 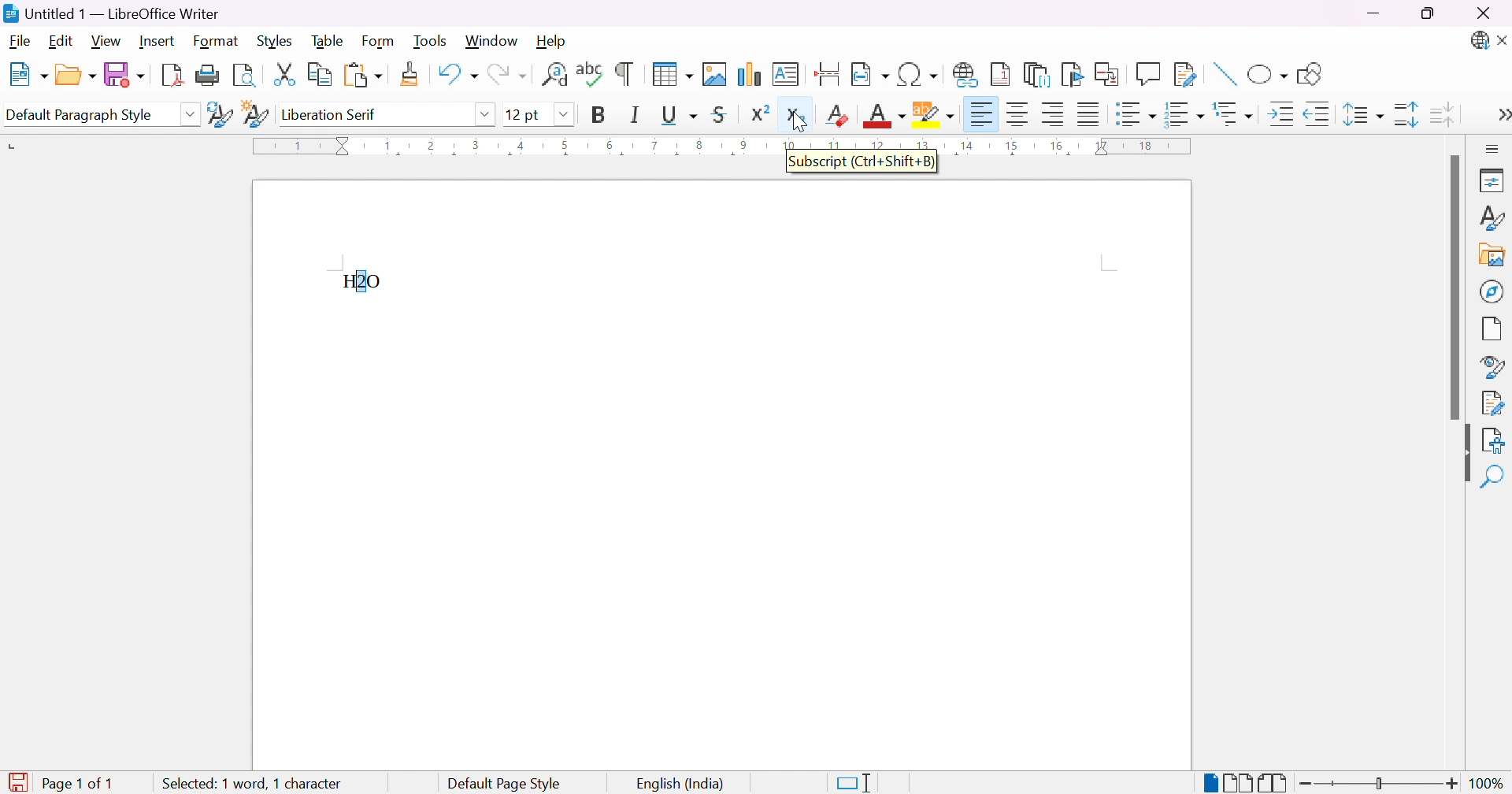 What do you see at coordinates (935, 114) in the screenshot?
I see `Character highlighting color` at bounding box center [935, 114].